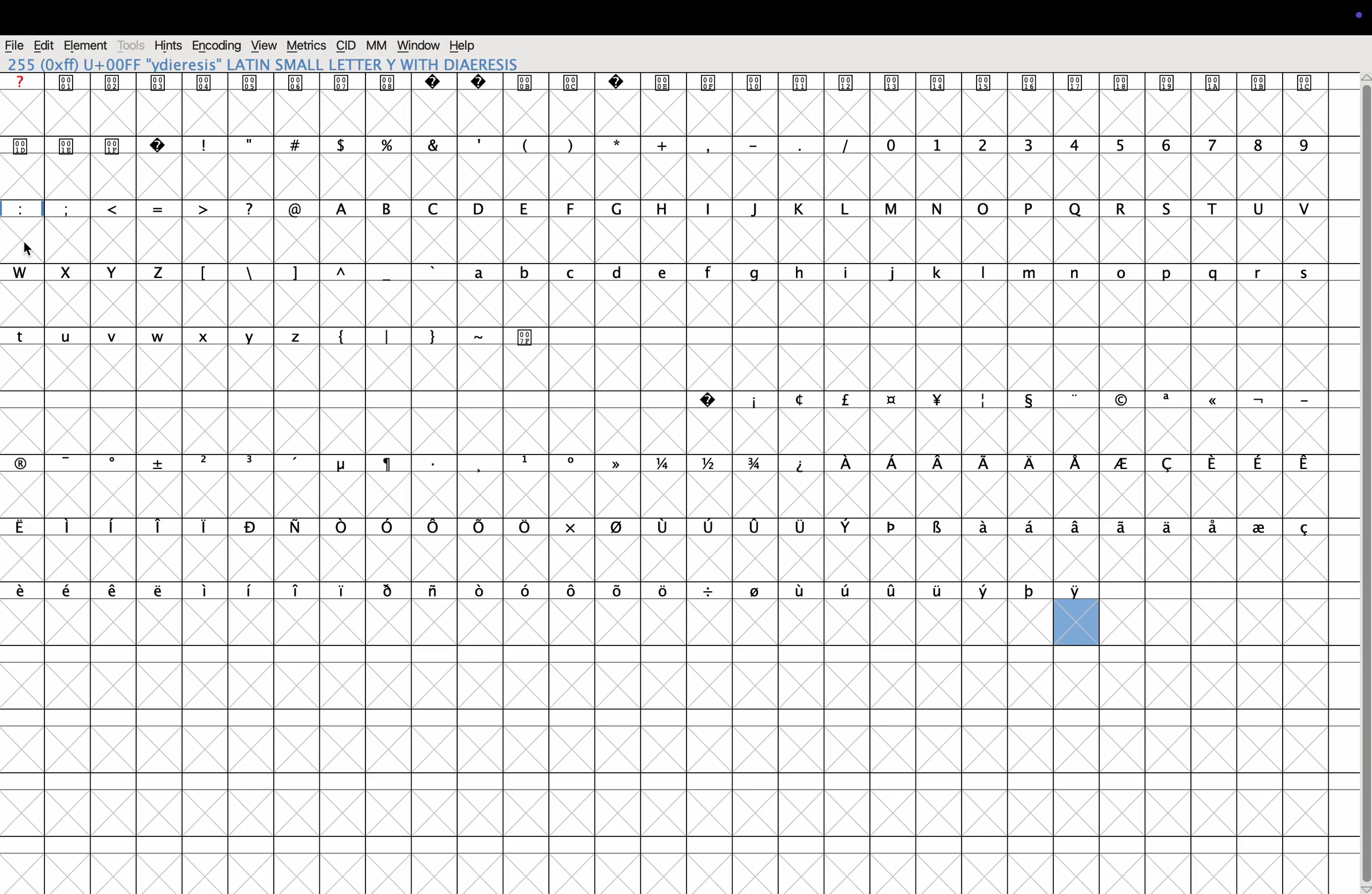  I want to click on Special characters, so click(700, 100).